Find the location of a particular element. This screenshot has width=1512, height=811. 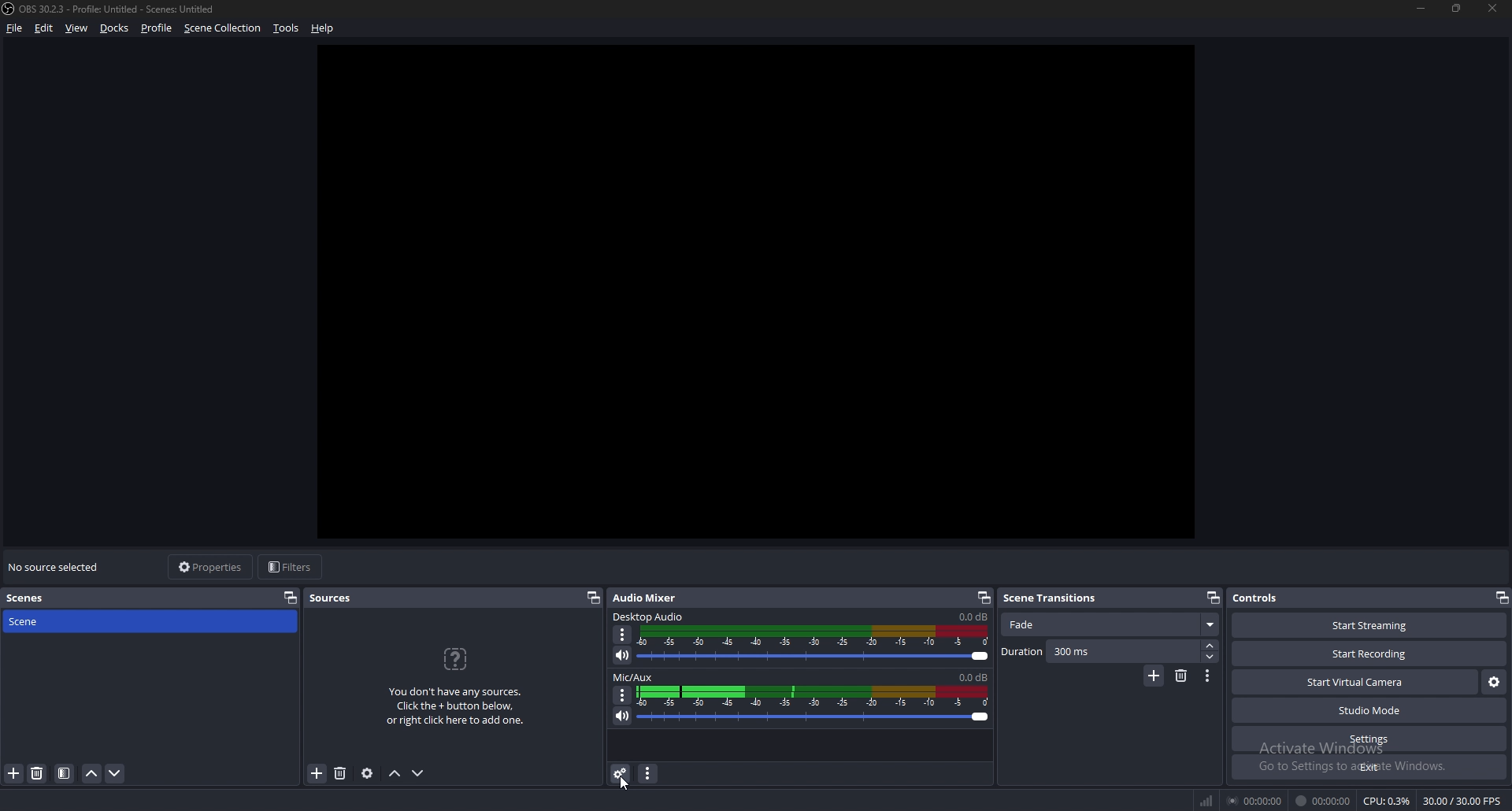

scene transitions is located at coordinates (1058, 597).